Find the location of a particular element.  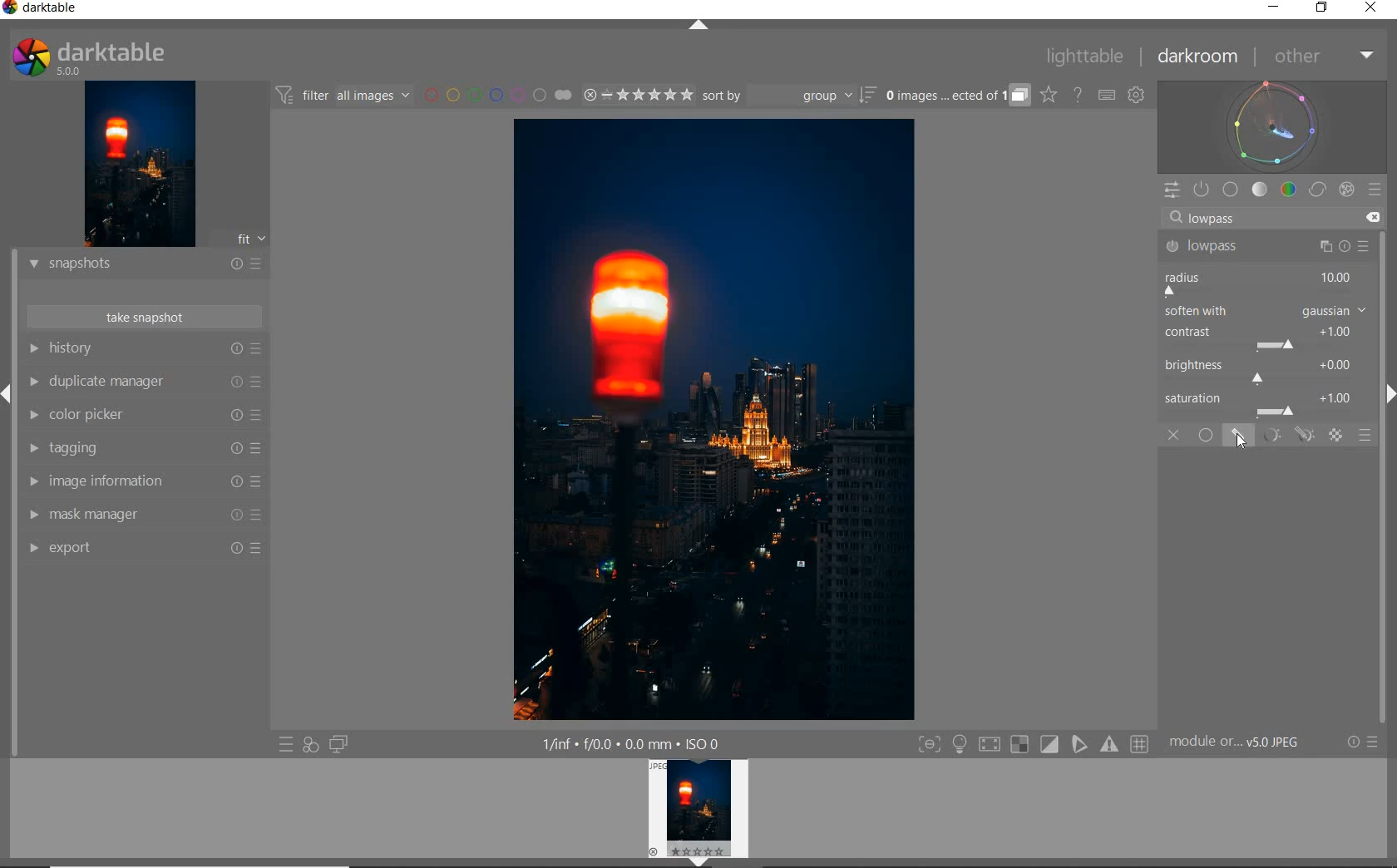

SORT is located at coordinates (787, 97).